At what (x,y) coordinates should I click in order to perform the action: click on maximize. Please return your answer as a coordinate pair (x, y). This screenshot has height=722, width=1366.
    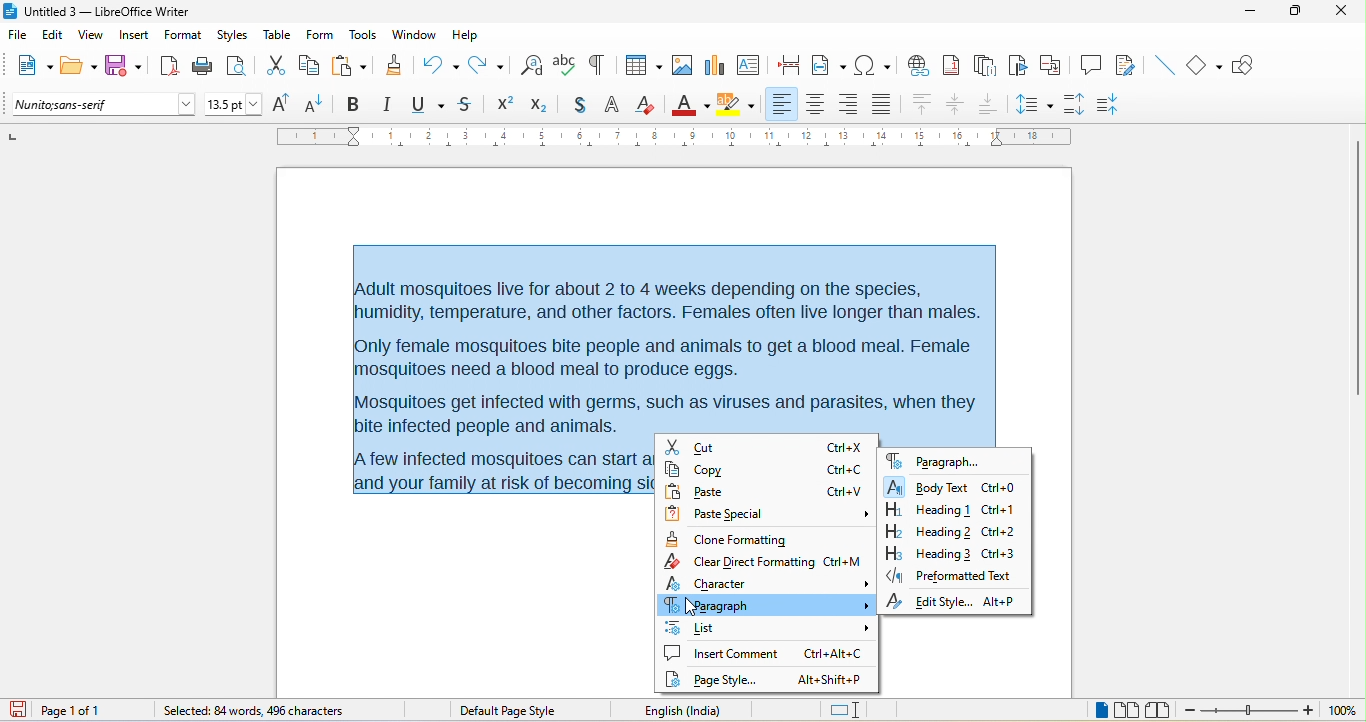
    Looking at the image, I should click on (1288, 12).